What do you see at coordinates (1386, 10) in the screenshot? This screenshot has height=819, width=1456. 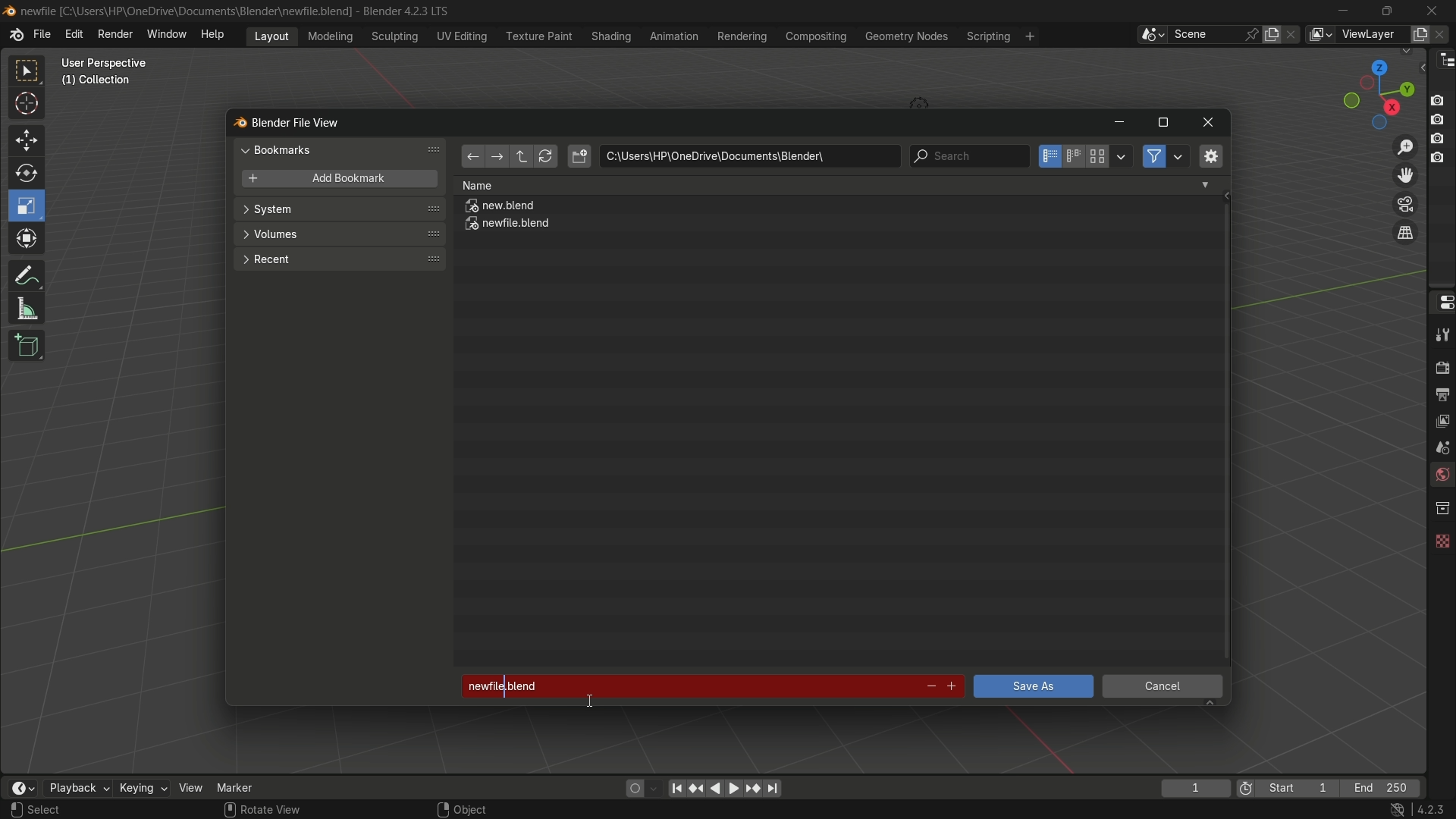 I see `maximize or restore` at bounding box center [1386, 10].